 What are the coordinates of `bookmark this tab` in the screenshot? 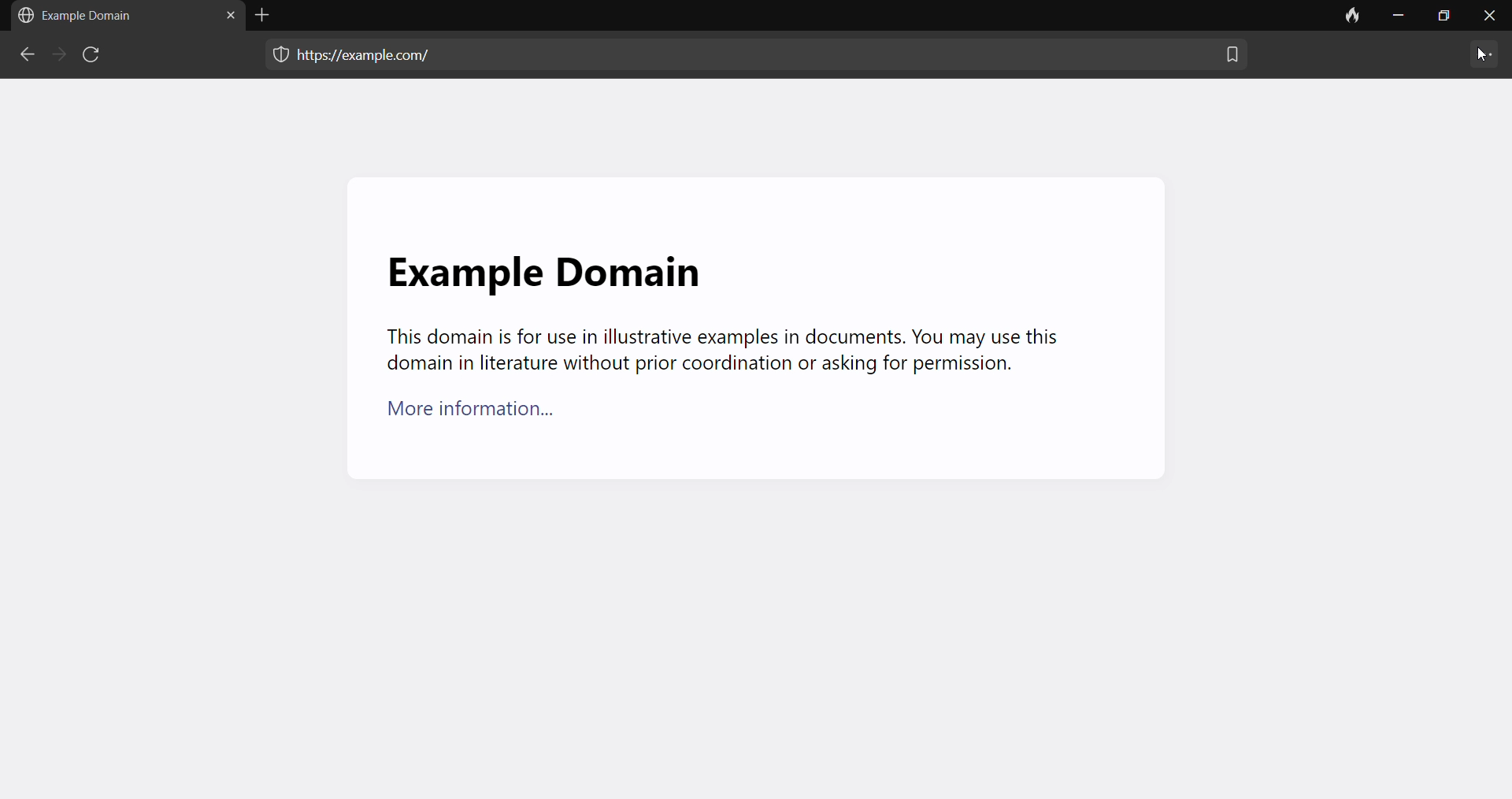 It's located at (1232, 61).